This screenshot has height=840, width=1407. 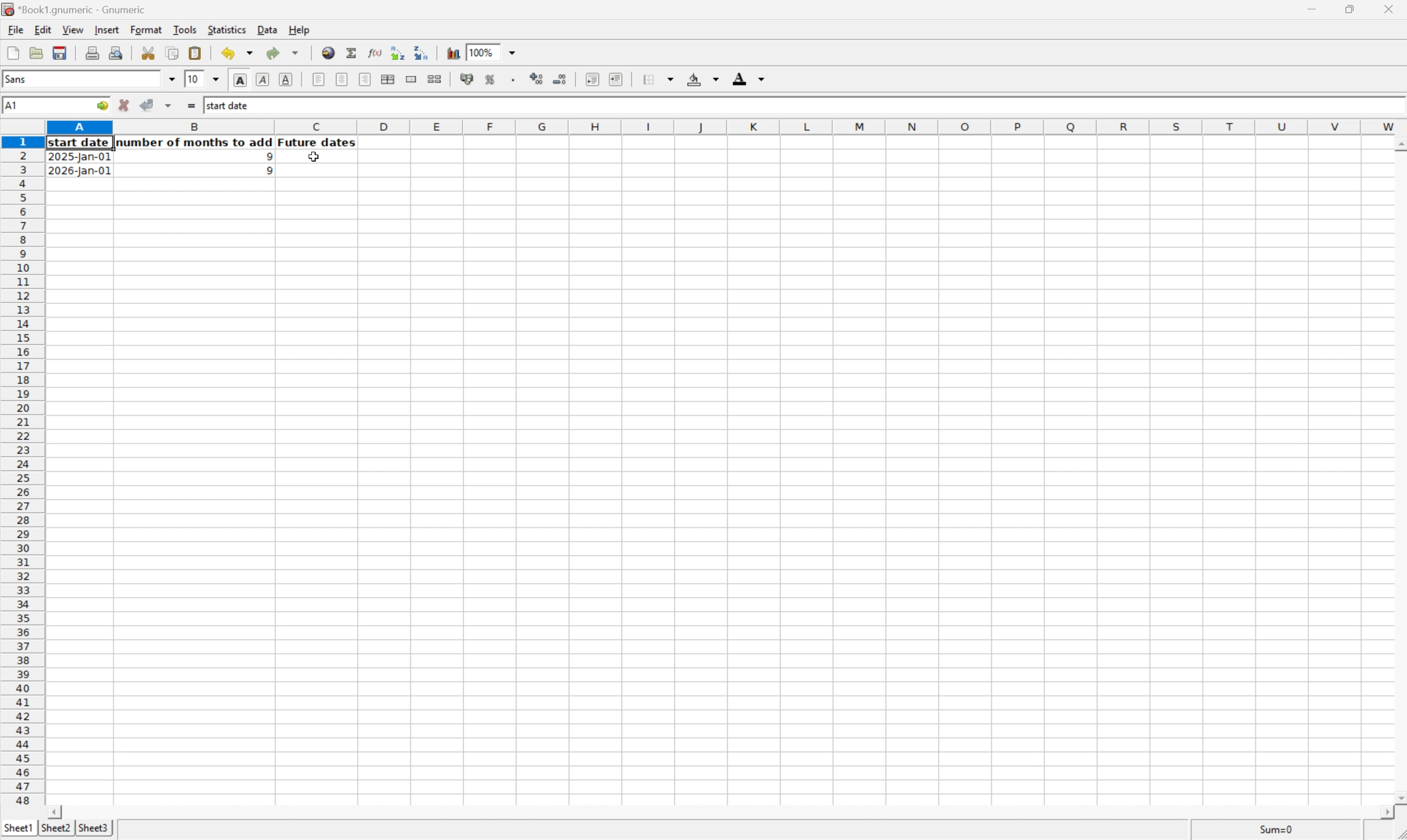 I want to click on Set the format of the selected cells to include a thousands separator, so click(x=514, y=80).